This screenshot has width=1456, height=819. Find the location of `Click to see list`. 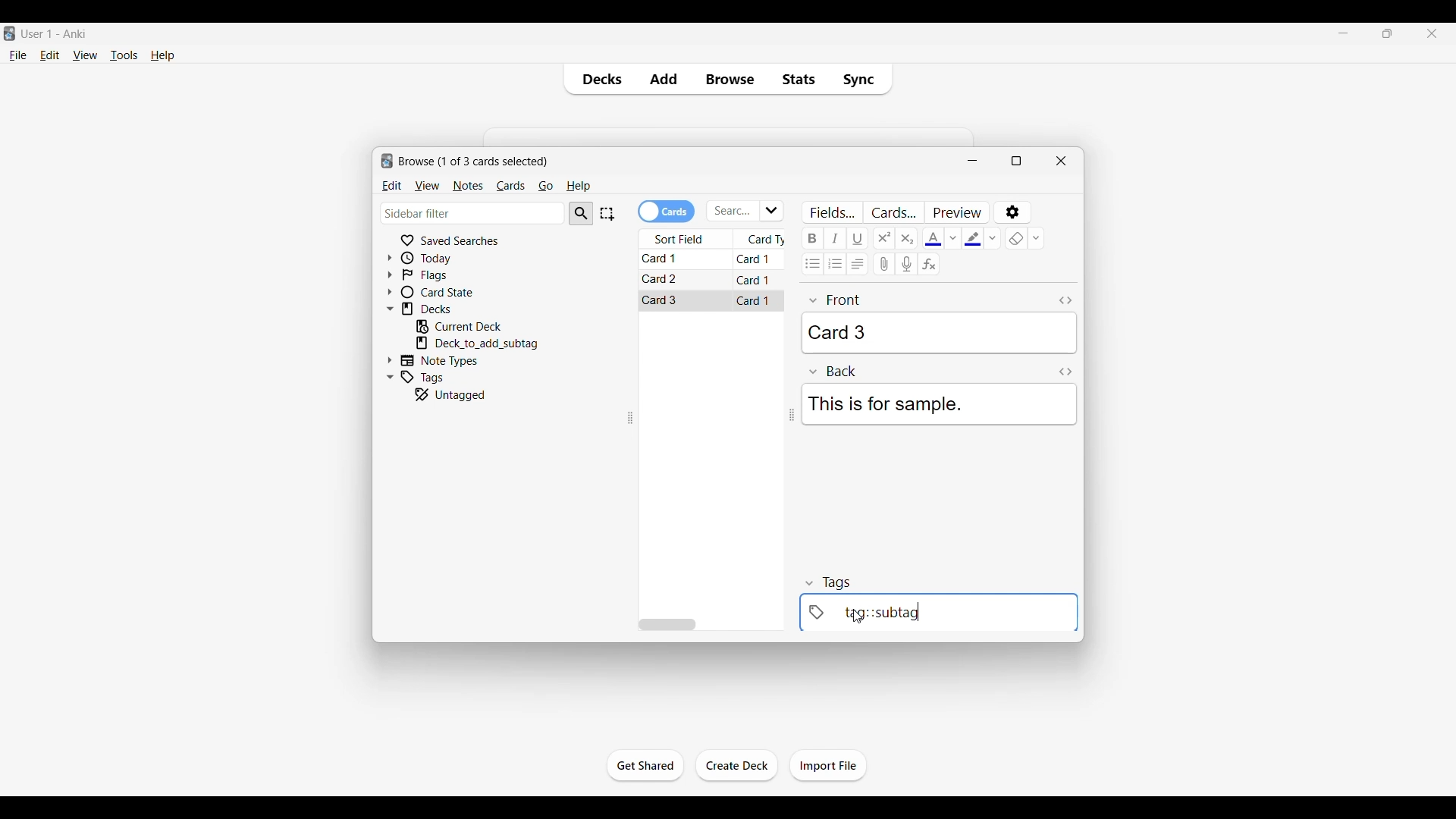

Click to see list is located at coordinates (773, 211).